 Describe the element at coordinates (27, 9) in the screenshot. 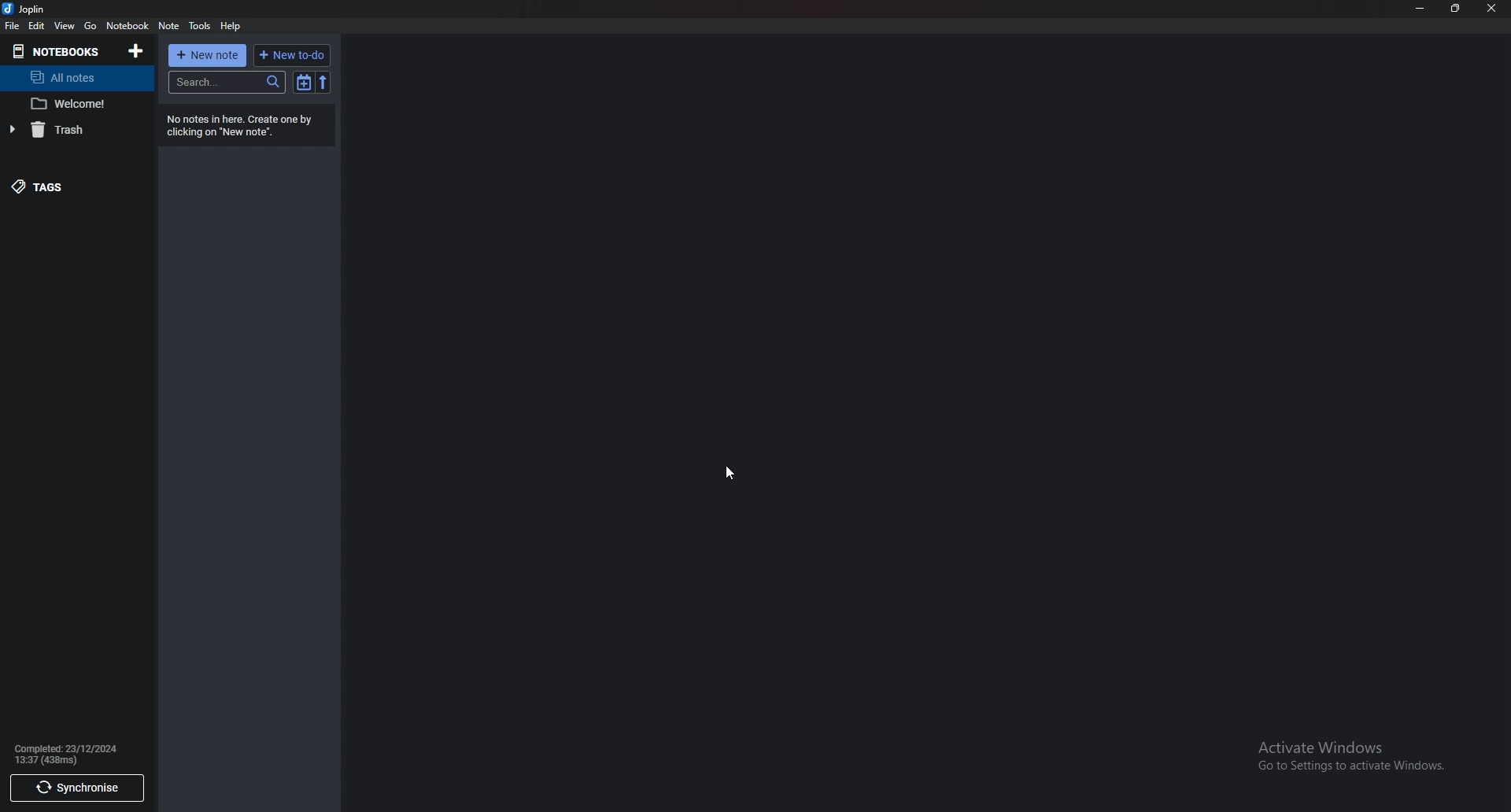

I see `joplin` at that location.